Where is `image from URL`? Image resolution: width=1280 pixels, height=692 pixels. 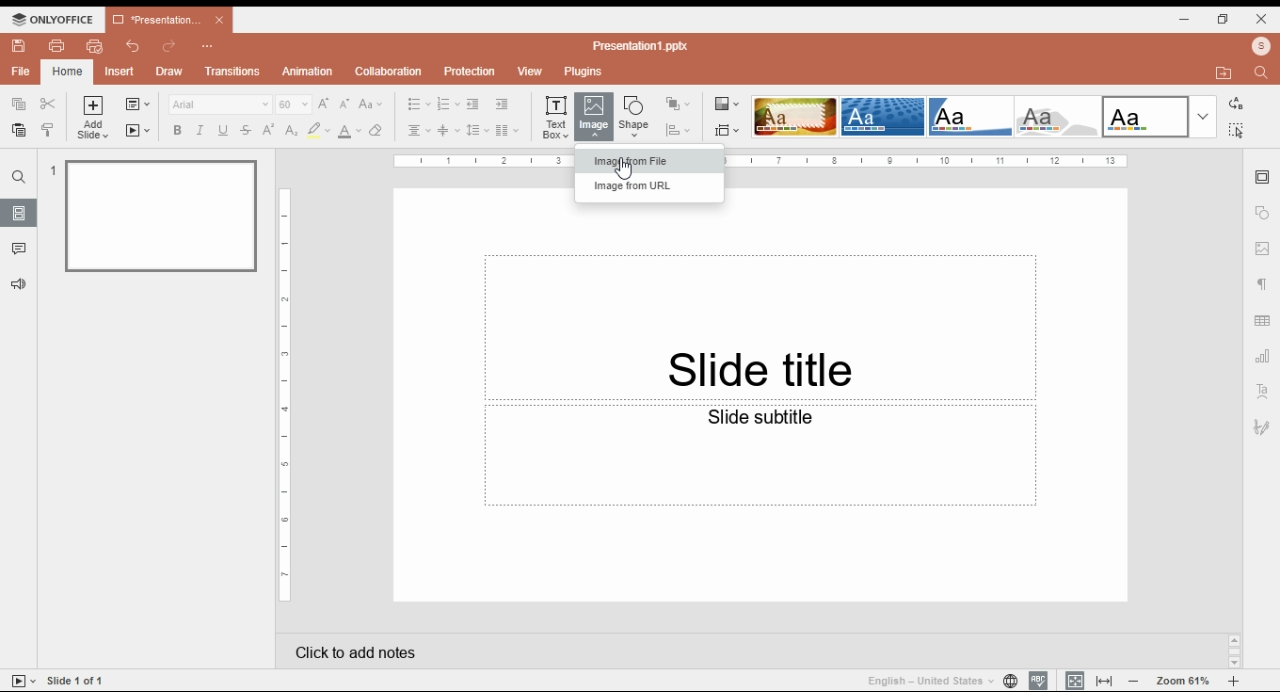 image from URL is located at coordinates (644, 186).